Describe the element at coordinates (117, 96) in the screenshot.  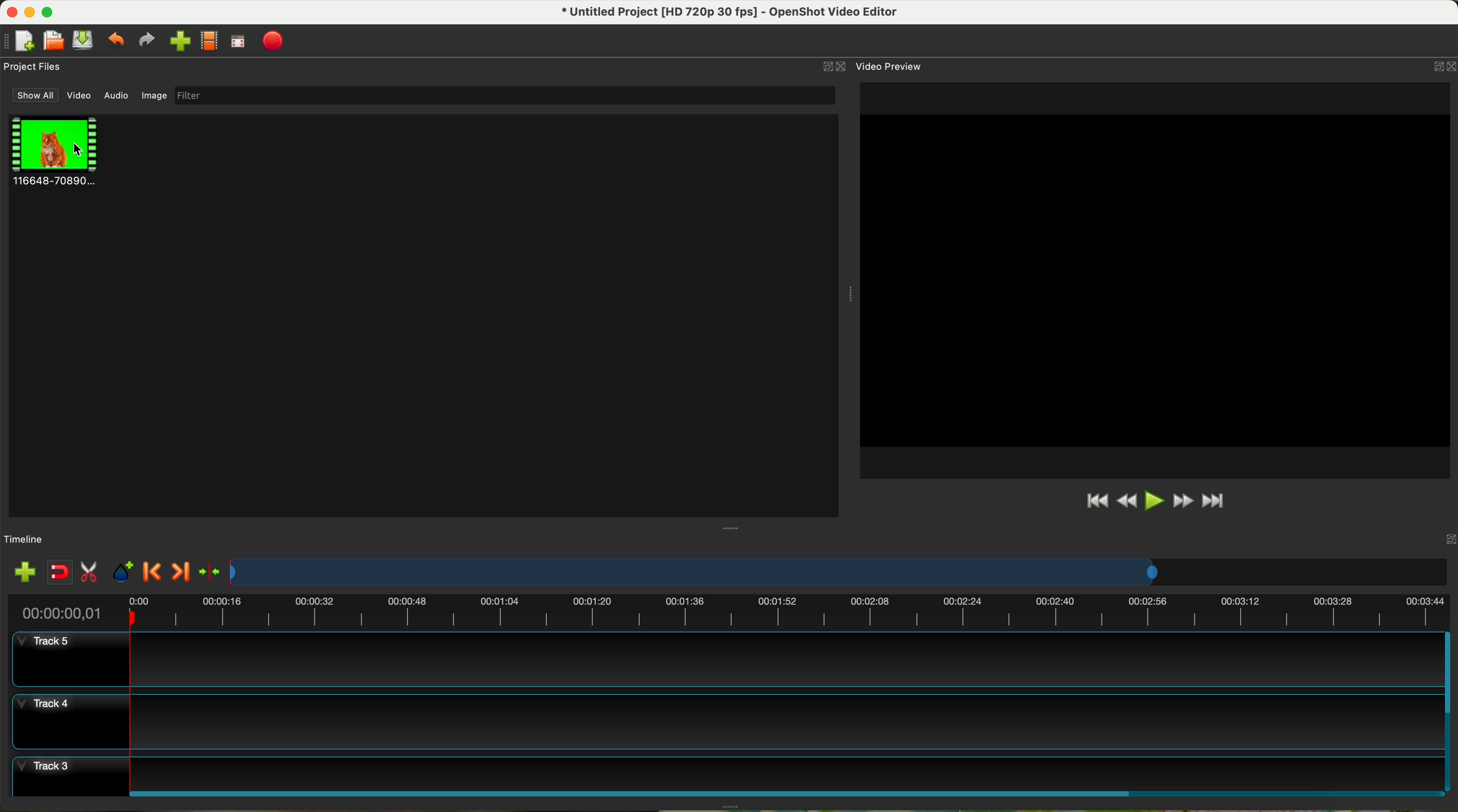
I see `audio` at that location.